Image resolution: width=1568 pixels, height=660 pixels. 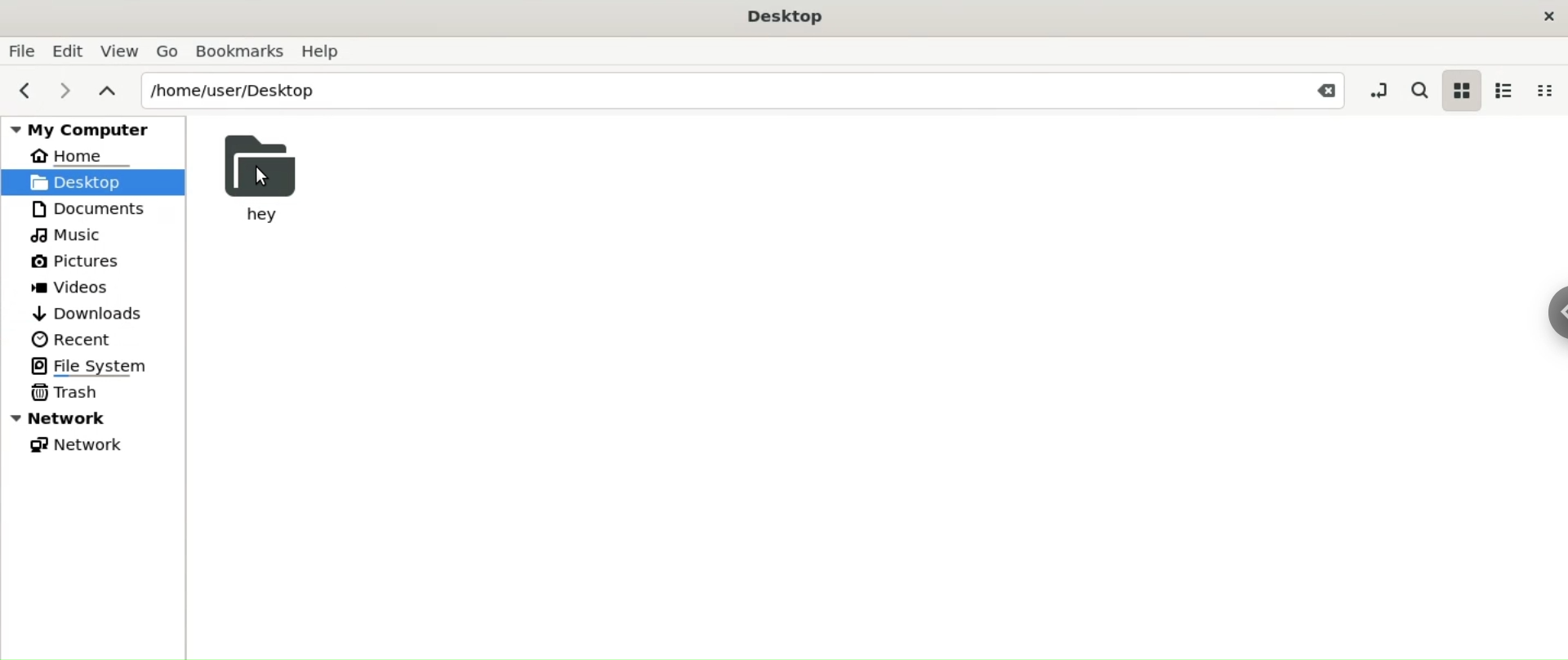 I want to click on list view, so click(x=1507, y=91).